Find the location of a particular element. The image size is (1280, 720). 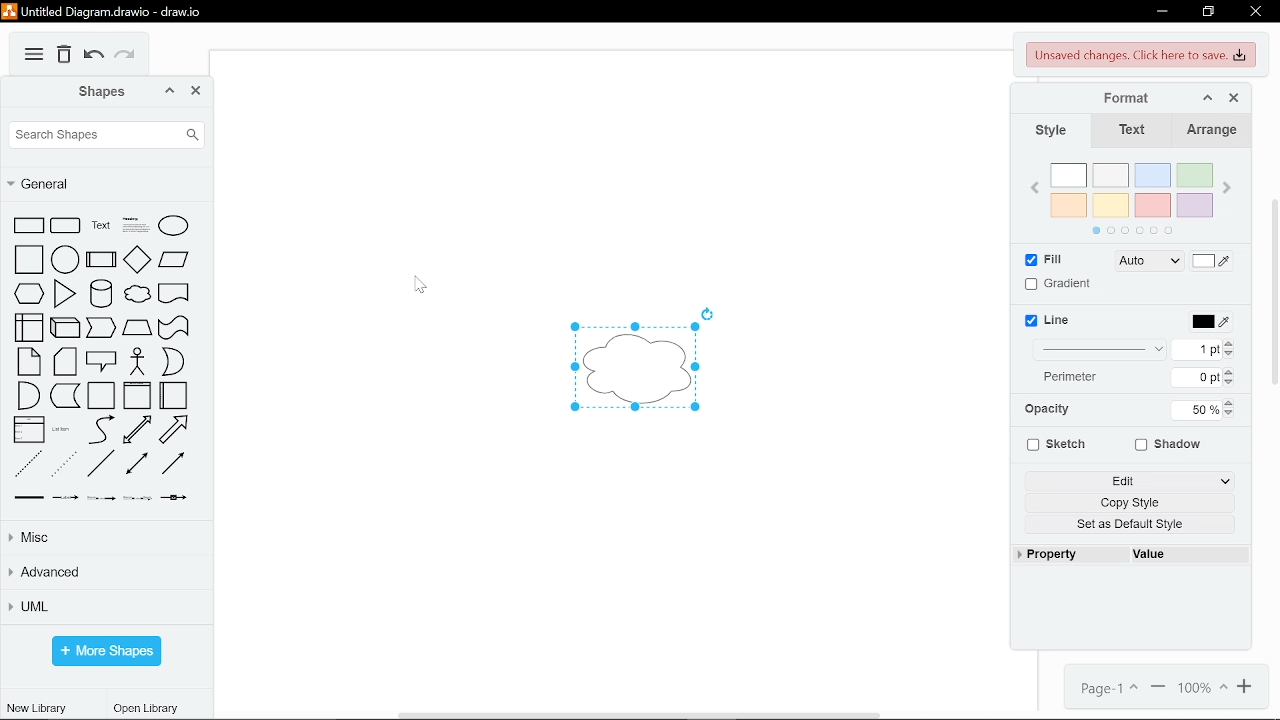

callout is located at coordinates (102, 361).